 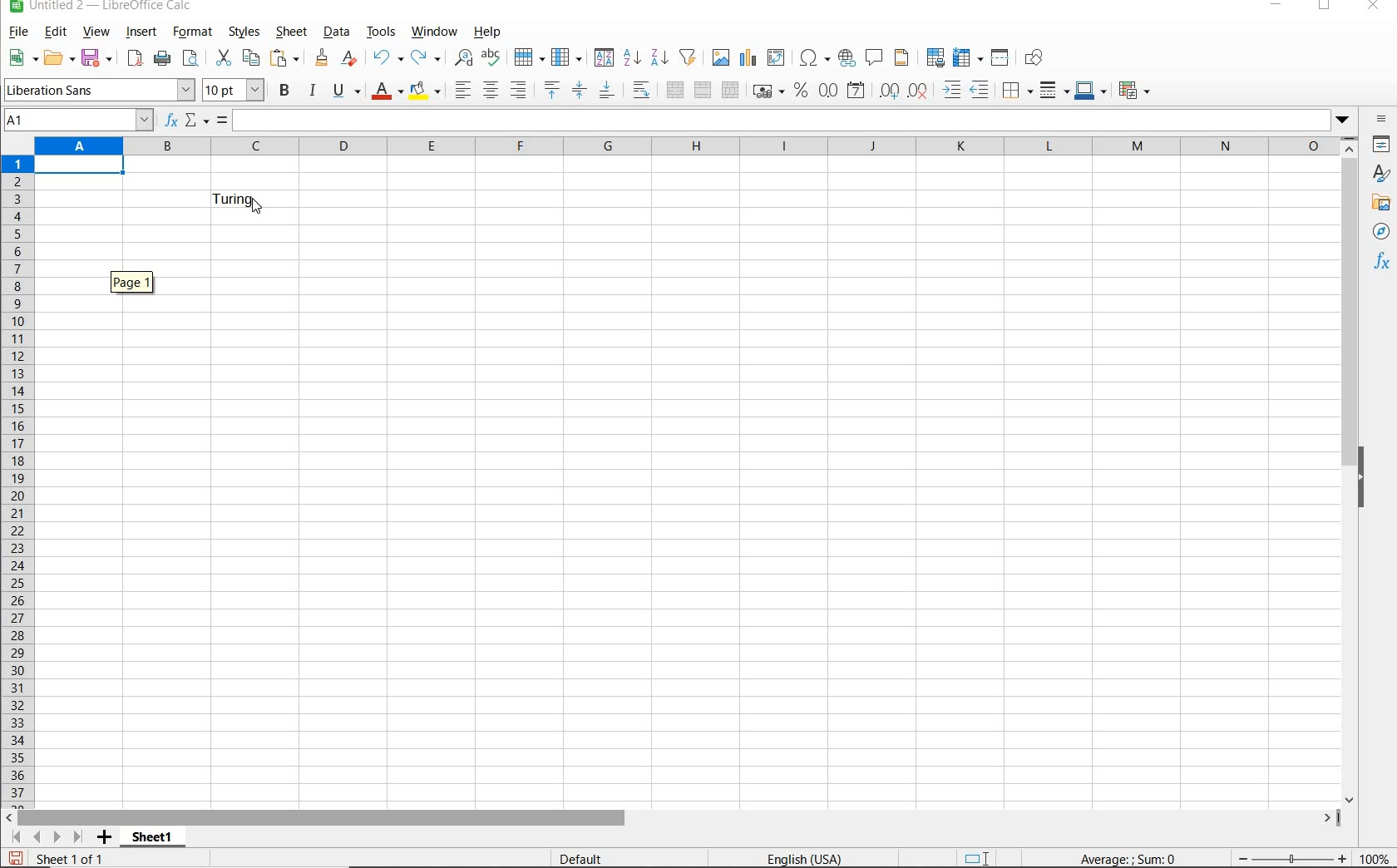 I want to click on DEFINE PRINT AREA, so click(x=932, y=57).